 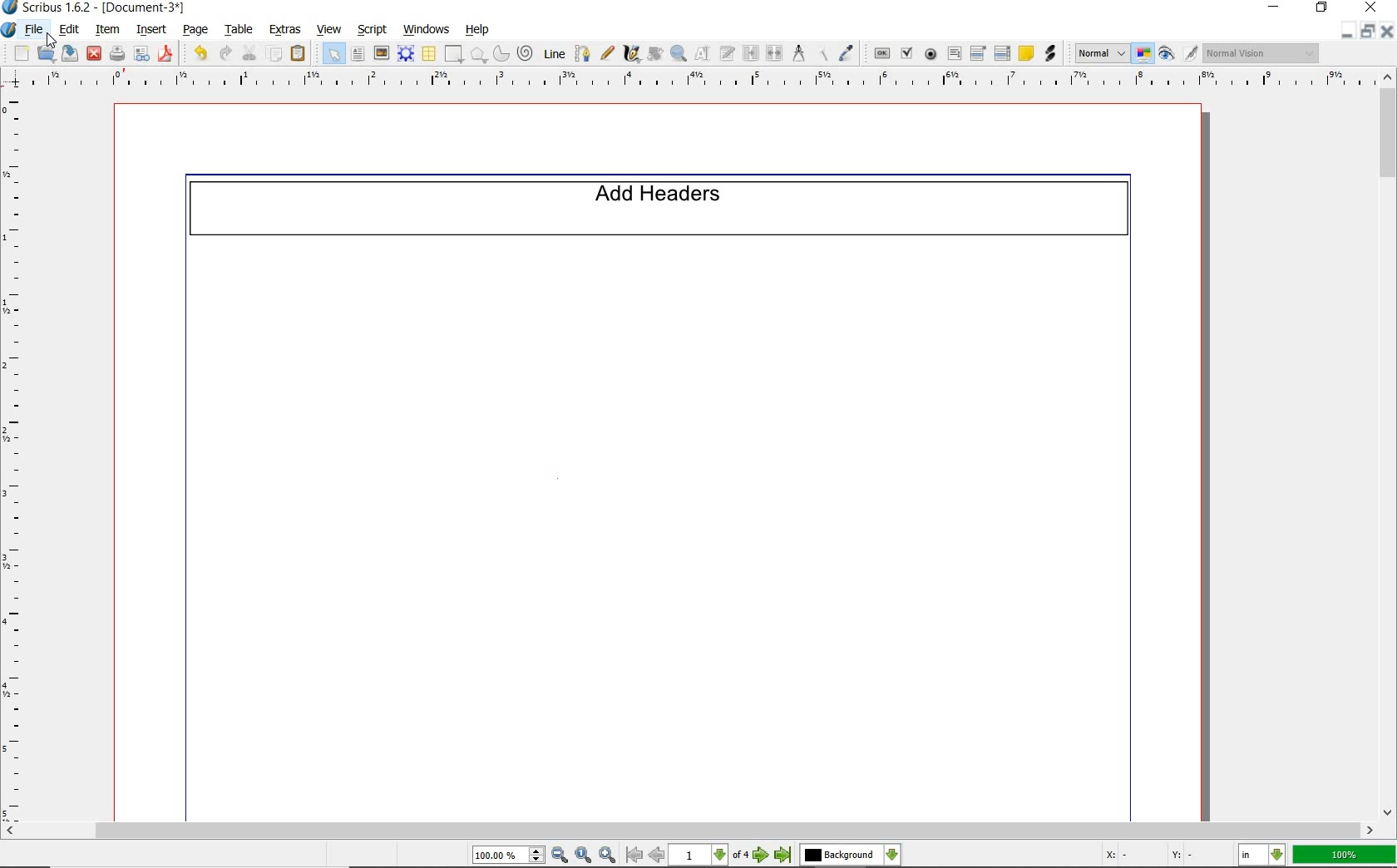 What do you see at coordinates (94, 8) in the screenshot?
I see `Scribus 1.6.2 - [Document-3*]` at bounding box center [94, 8].